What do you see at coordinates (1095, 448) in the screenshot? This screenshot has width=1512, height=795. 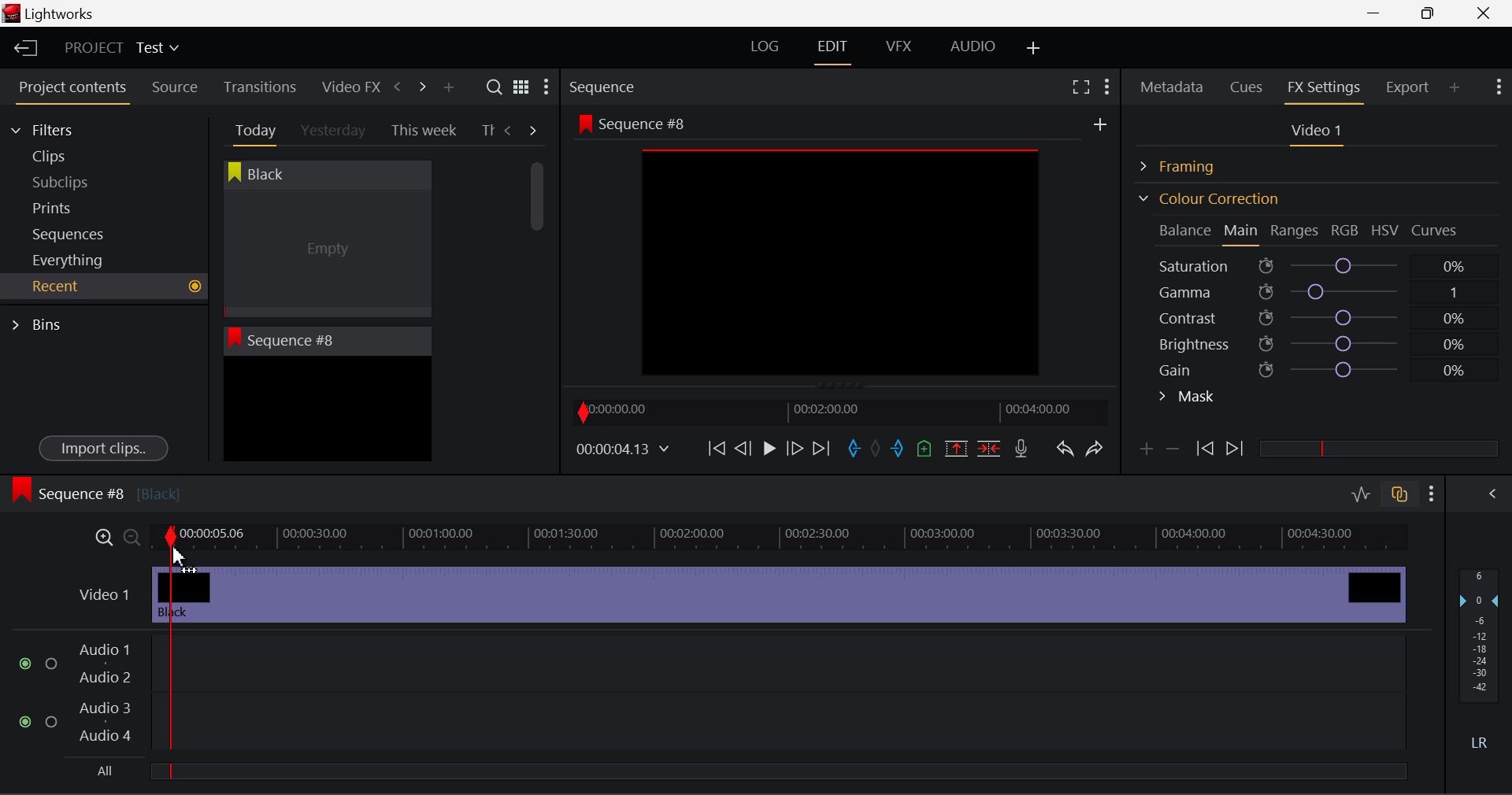 I see `Redo` at bounding box center [1095, 448].